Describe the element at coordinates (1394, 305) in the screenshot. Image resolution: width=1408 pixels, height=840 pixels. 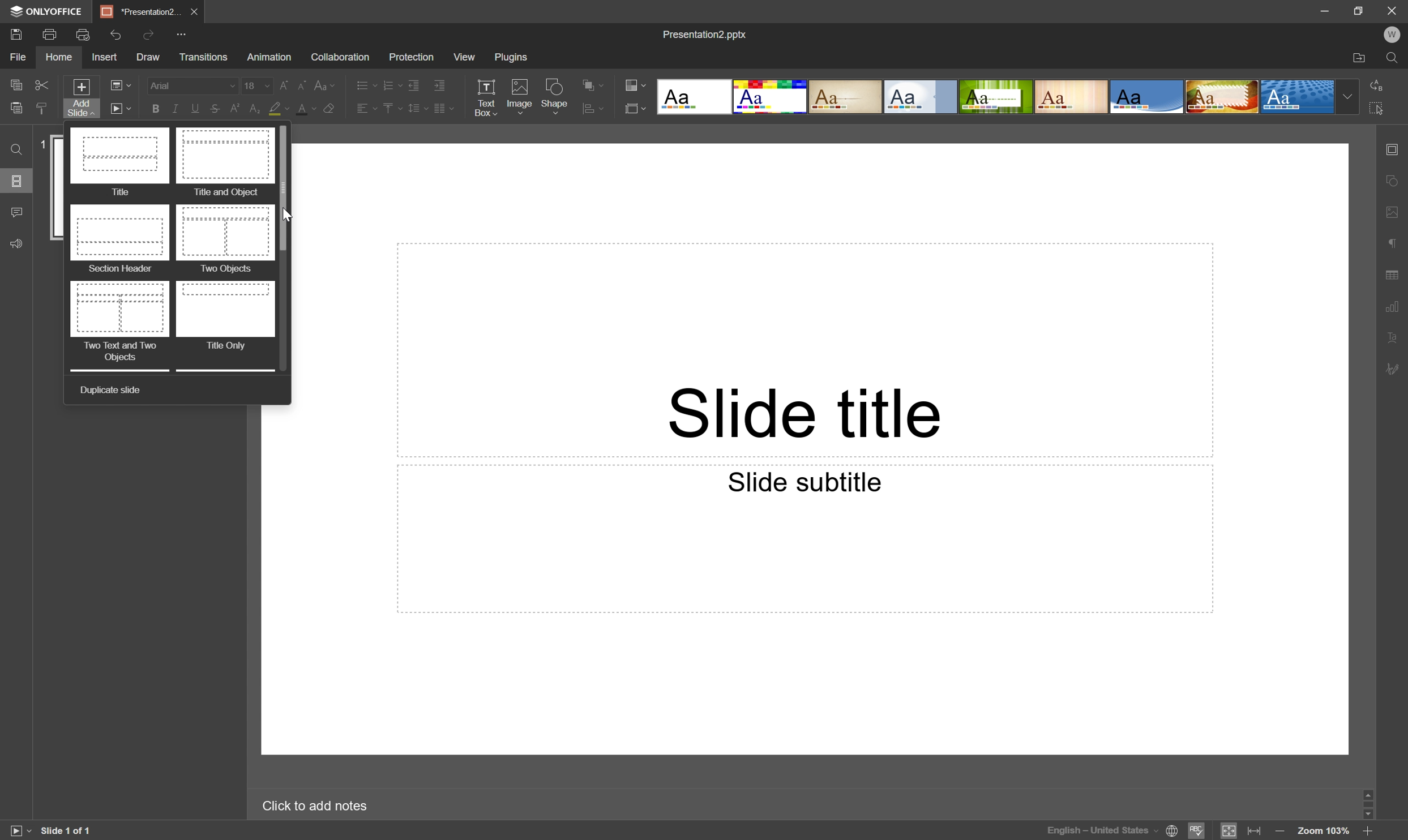
I see `Chart settings` at that location.